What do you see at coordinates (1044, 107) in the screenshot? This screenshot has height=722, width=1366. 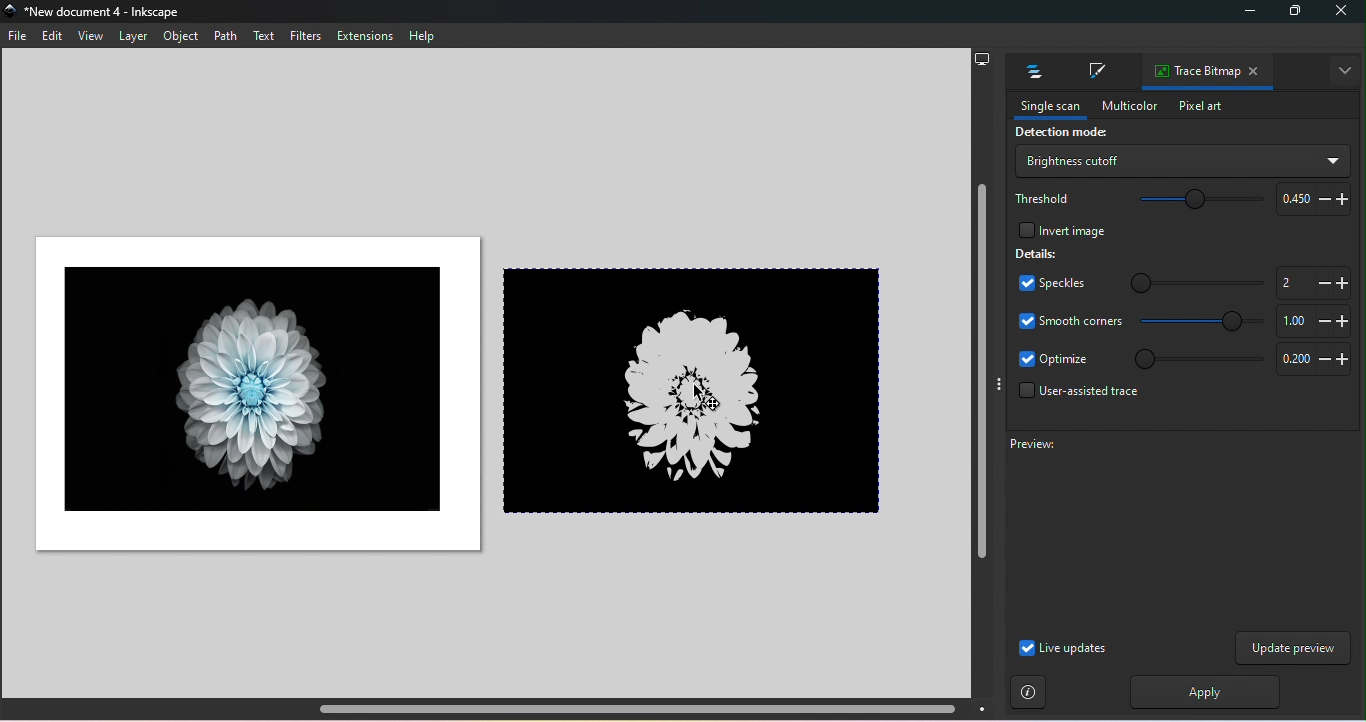 I see `Single scan` at bounding box center [1044, 107].